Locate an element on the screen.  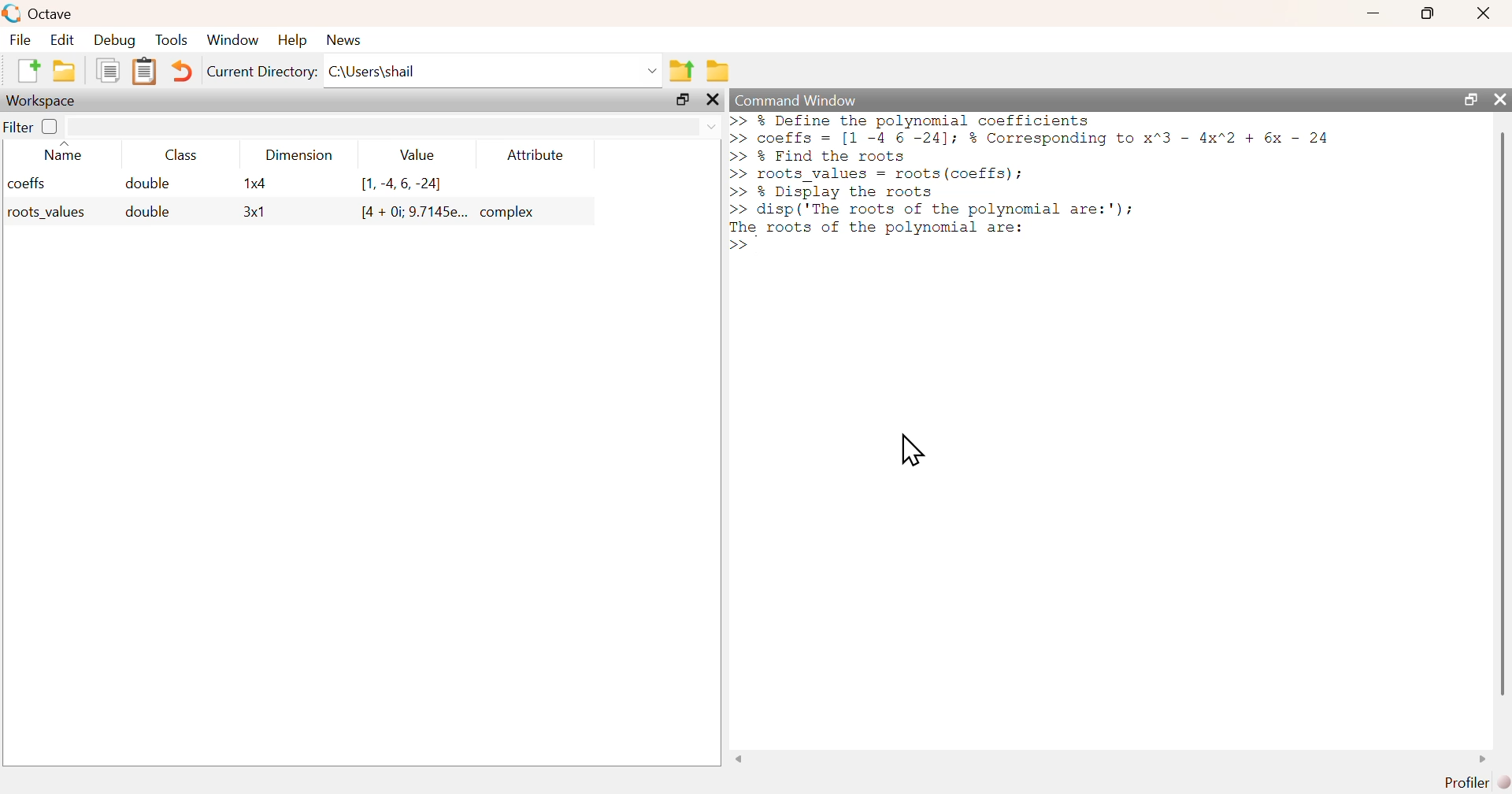
double is located at coordinates (145, 212).